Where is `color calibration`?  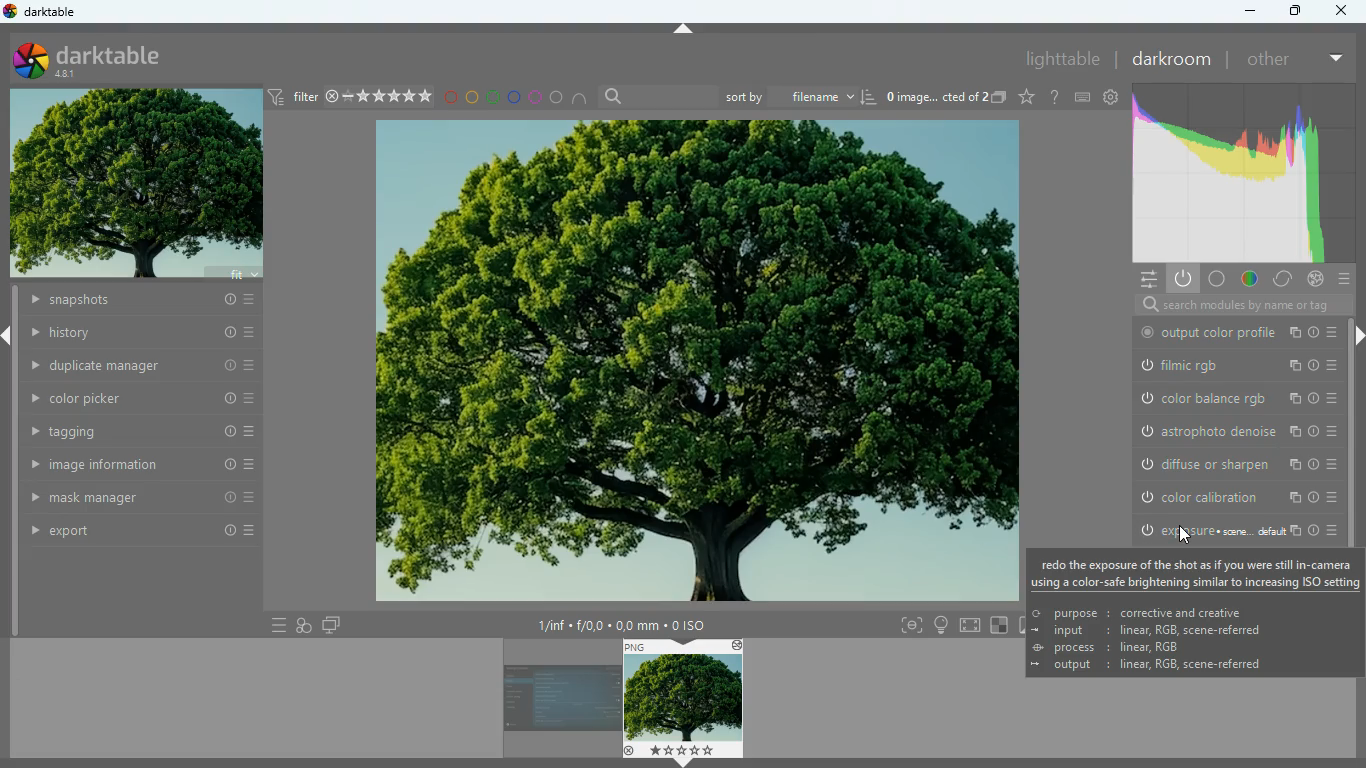 color calibration is located at coordinates (1230, 496).